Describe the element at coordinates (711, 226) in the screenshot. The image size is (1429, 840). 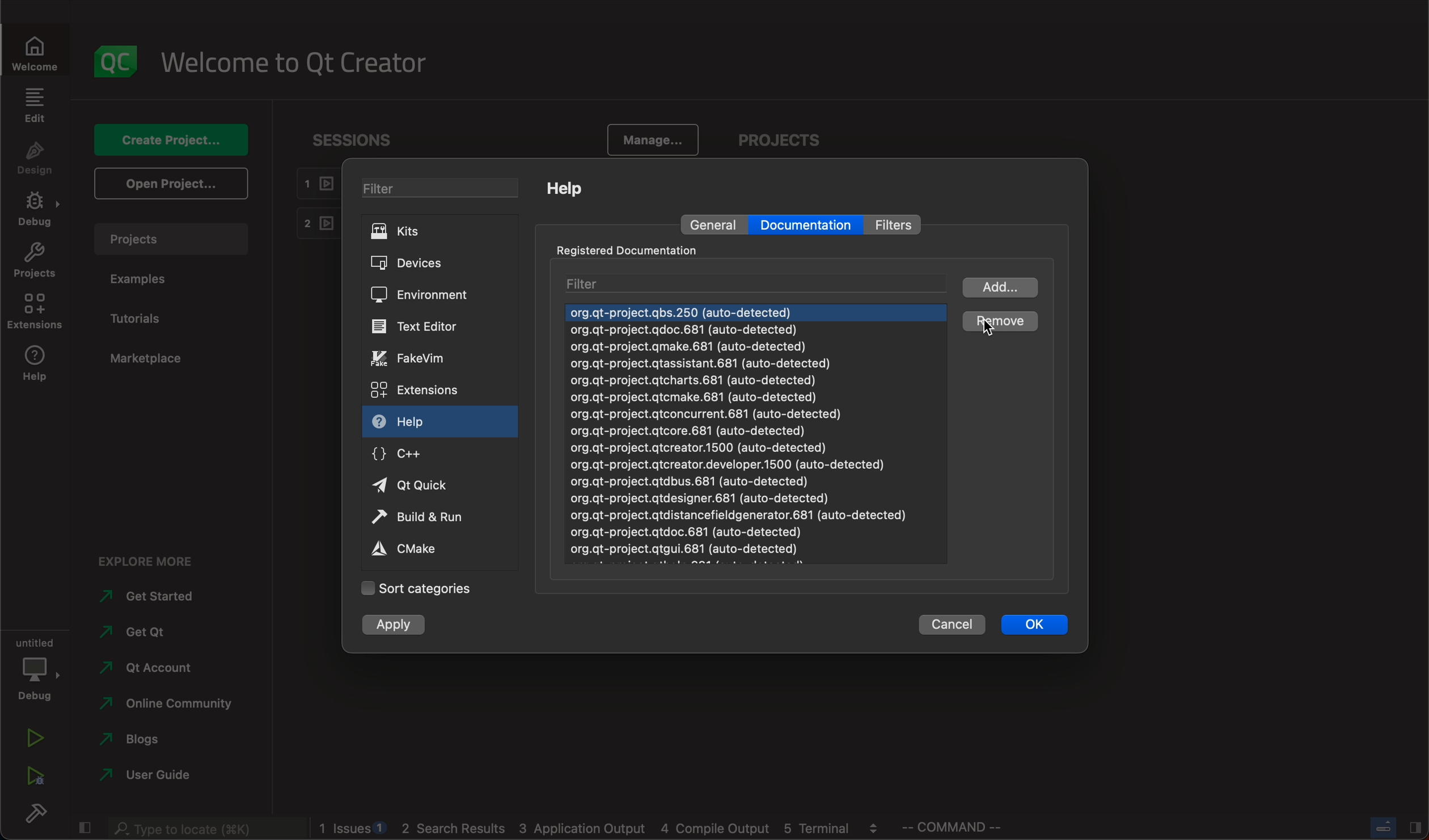
I see `general` at that location.